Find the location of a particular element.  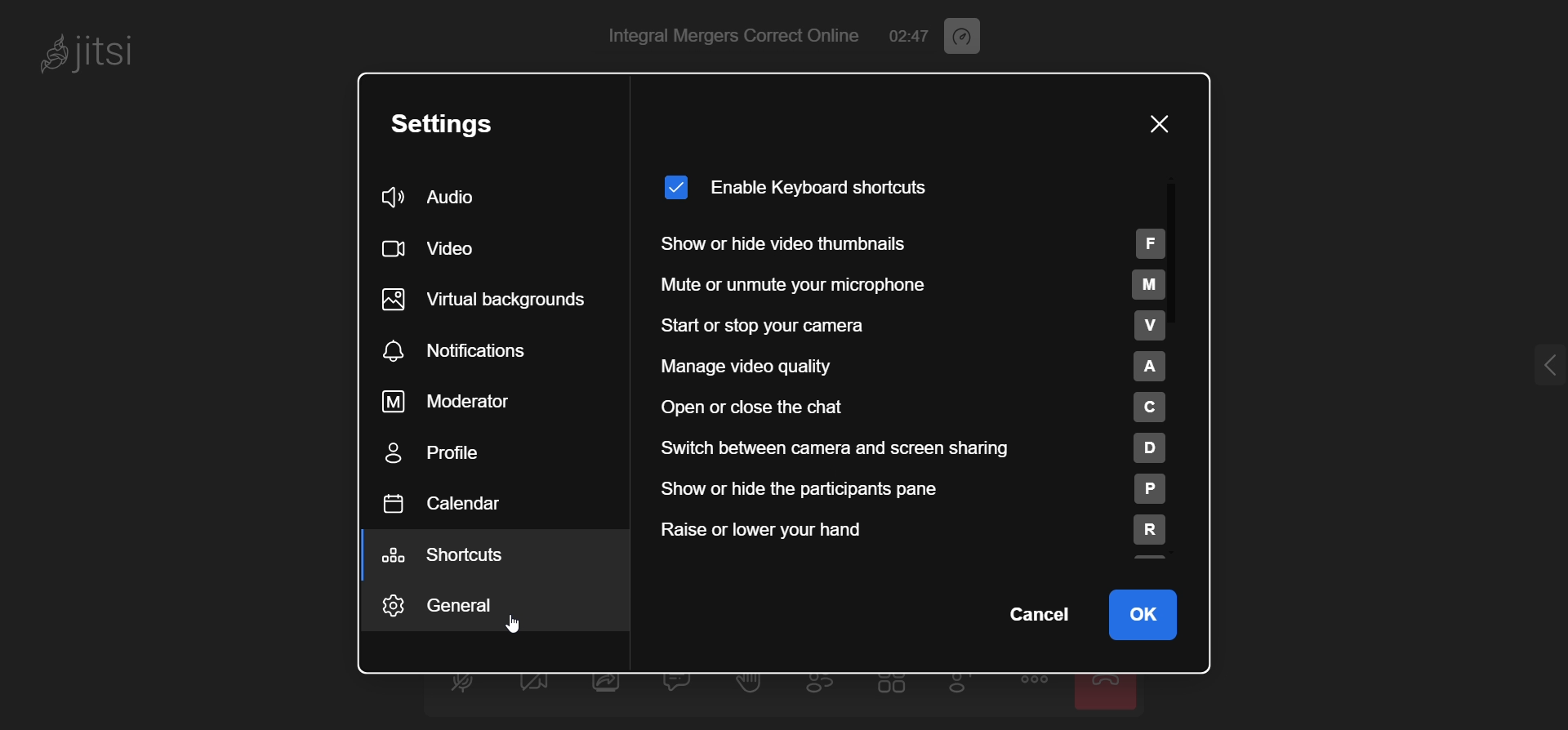

raise or lower your hand is located at coordinates (911, 536).